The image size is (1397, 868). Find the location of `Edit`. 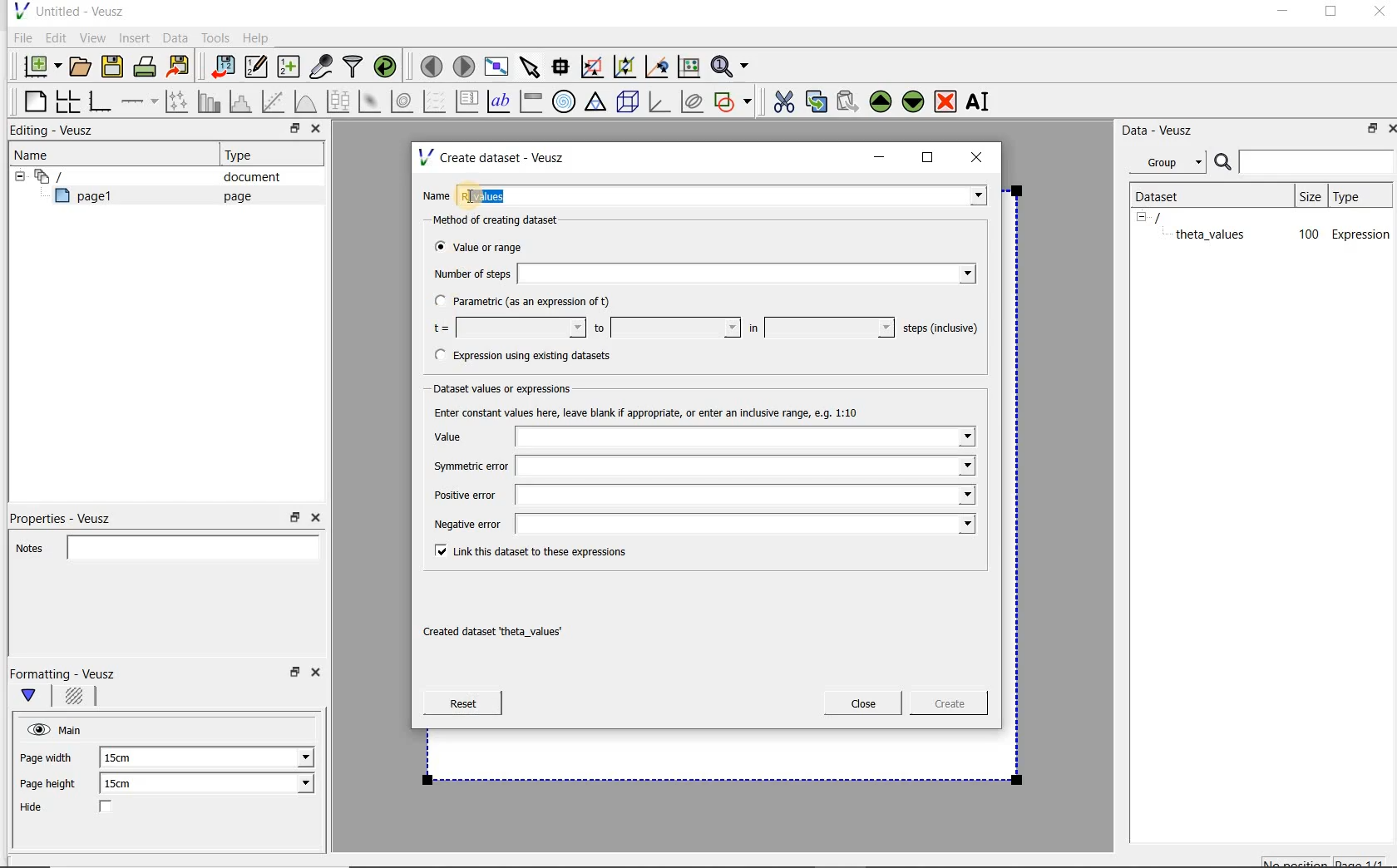

Edit is located at coordinates (55, 37).